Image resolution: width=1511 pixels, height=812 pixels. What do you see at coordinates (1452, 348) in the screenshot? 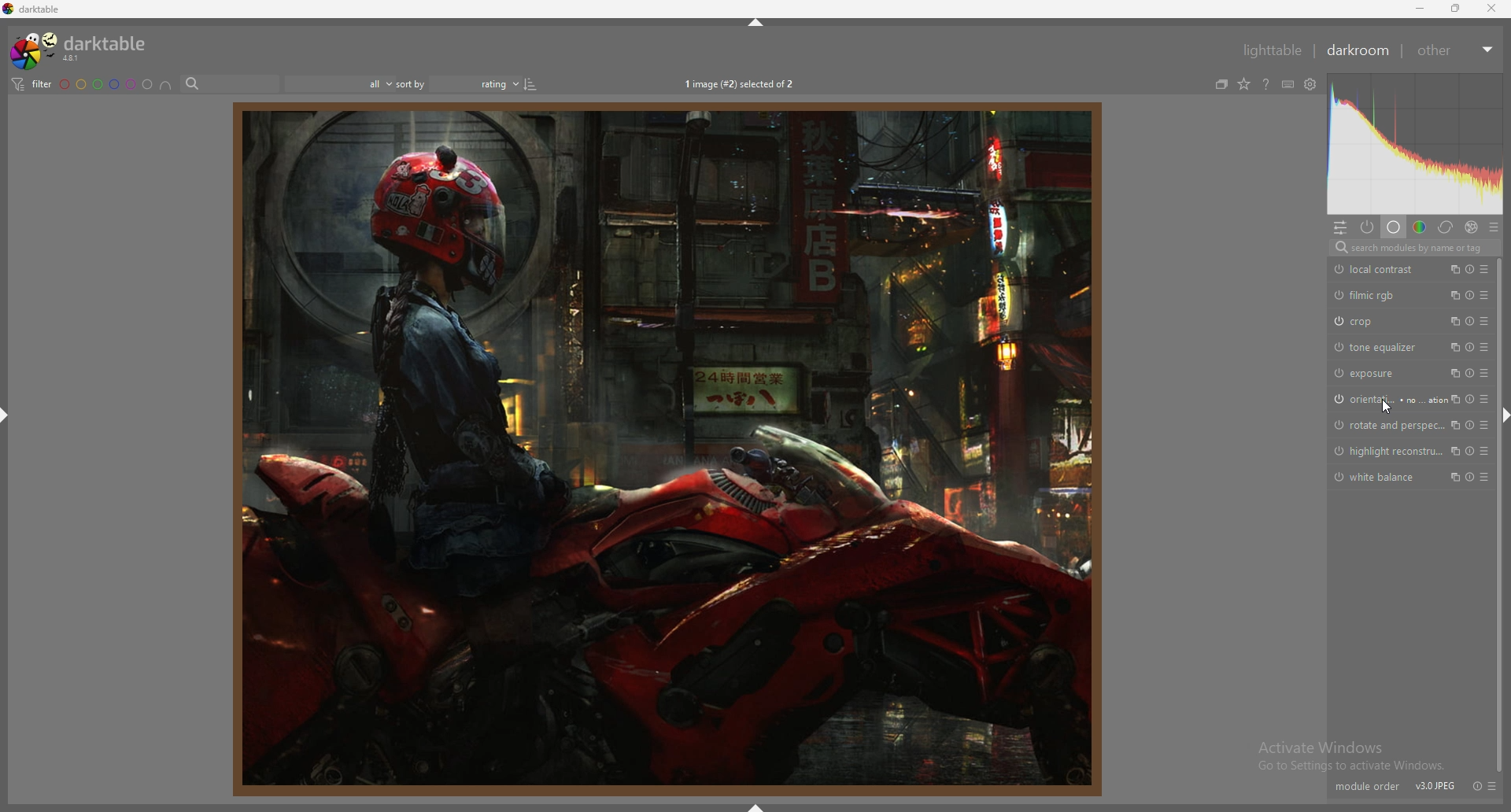
I see `multiple instances action` at bounding box center [1452, 348].